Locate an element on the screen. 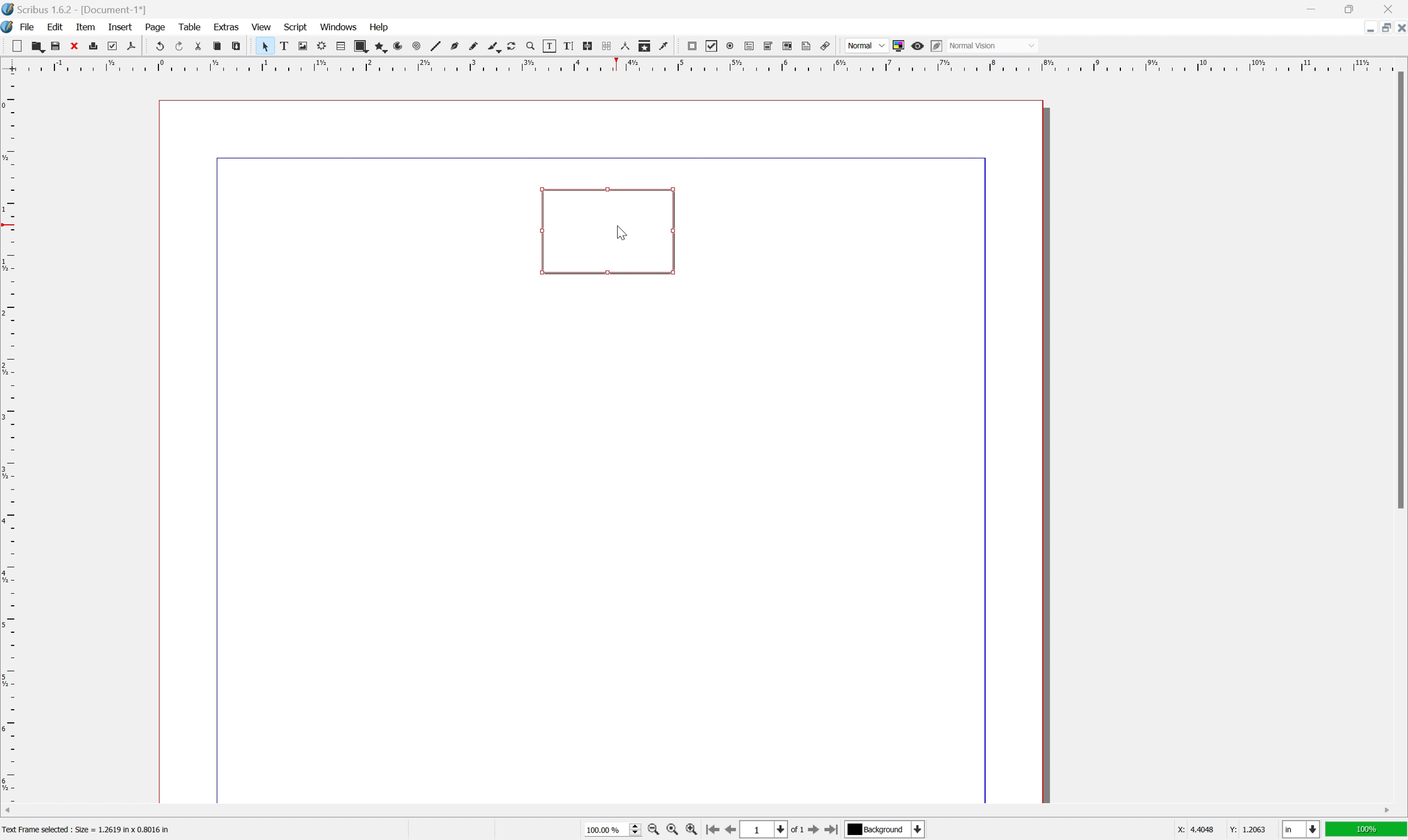  copy is located at coordinates (217, 46).